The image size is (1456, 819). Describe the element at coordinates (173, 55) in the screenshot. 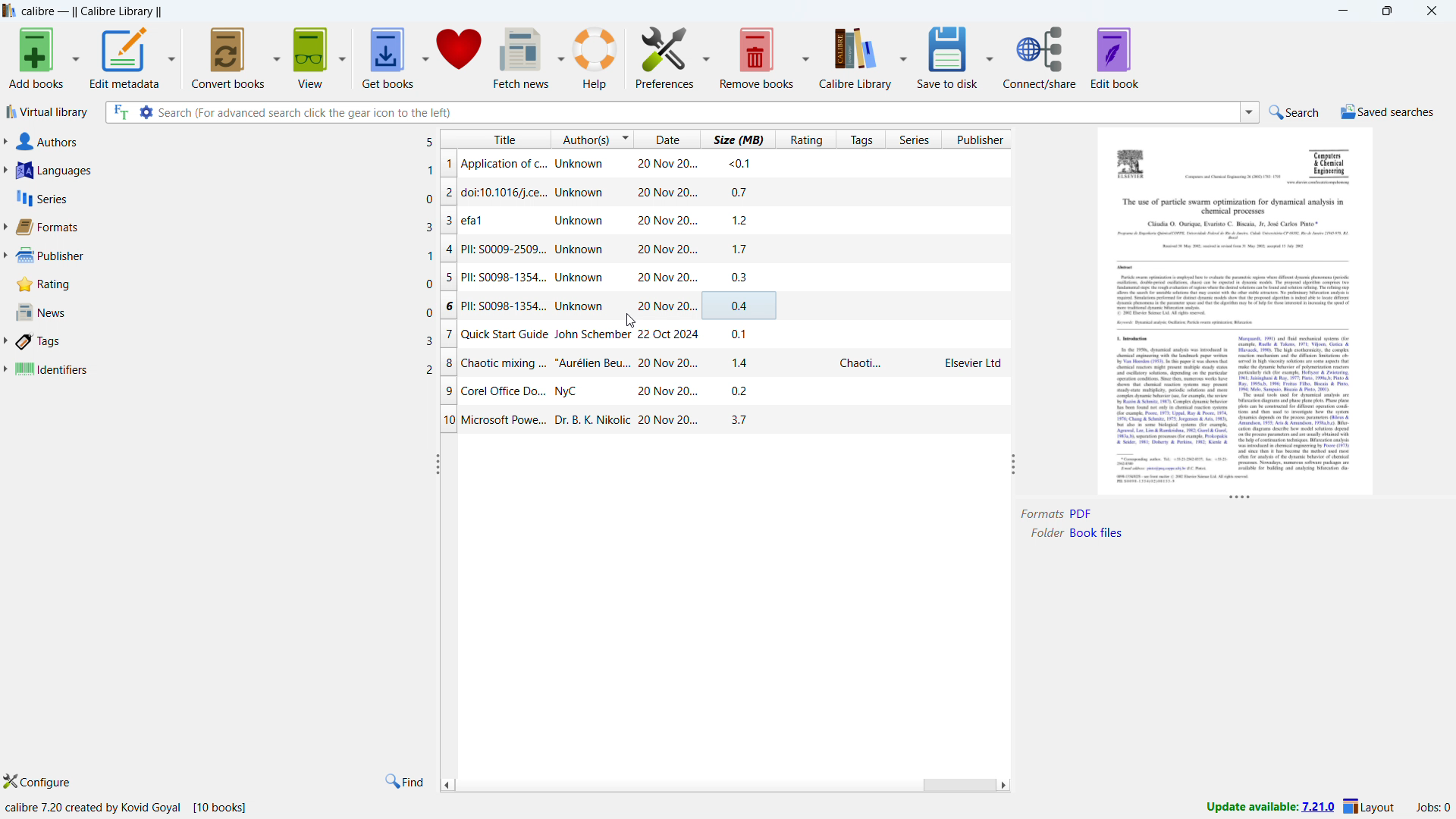

I see `edit metadata options` at that location.